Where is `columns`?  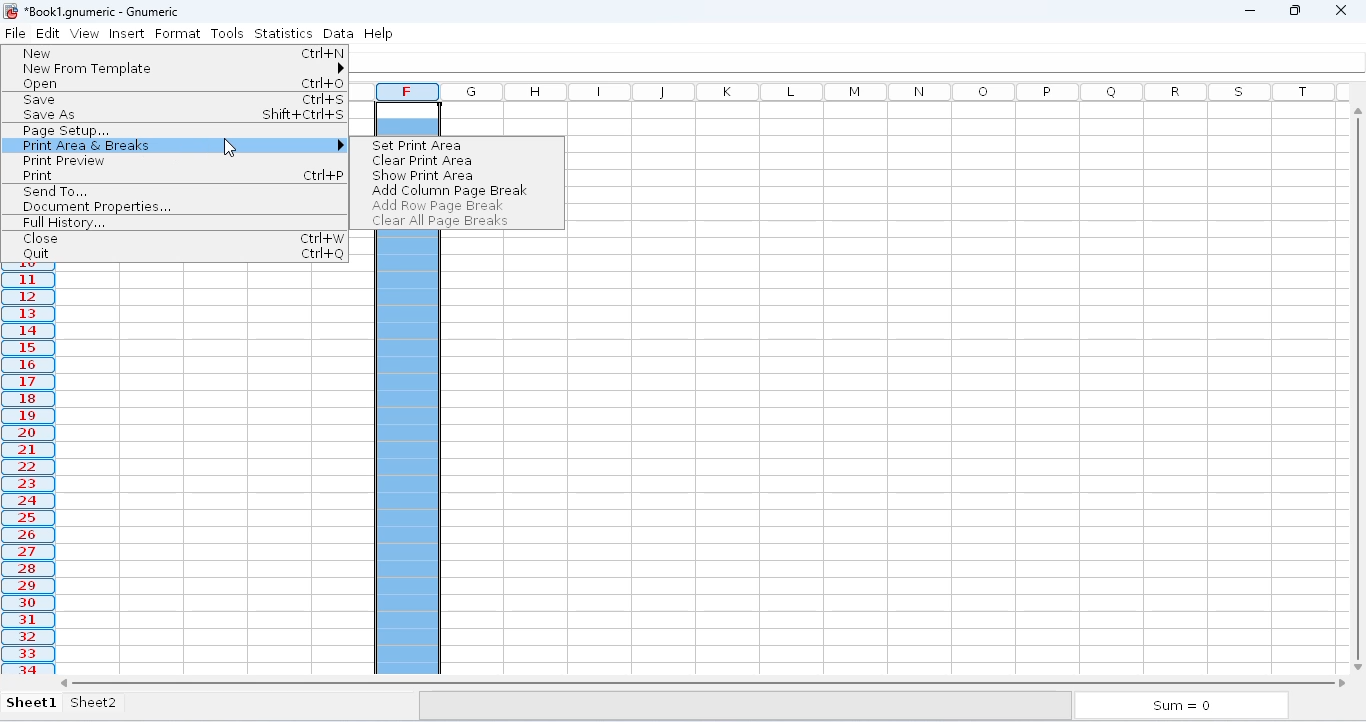
columns is located at coordinates (895, 92).